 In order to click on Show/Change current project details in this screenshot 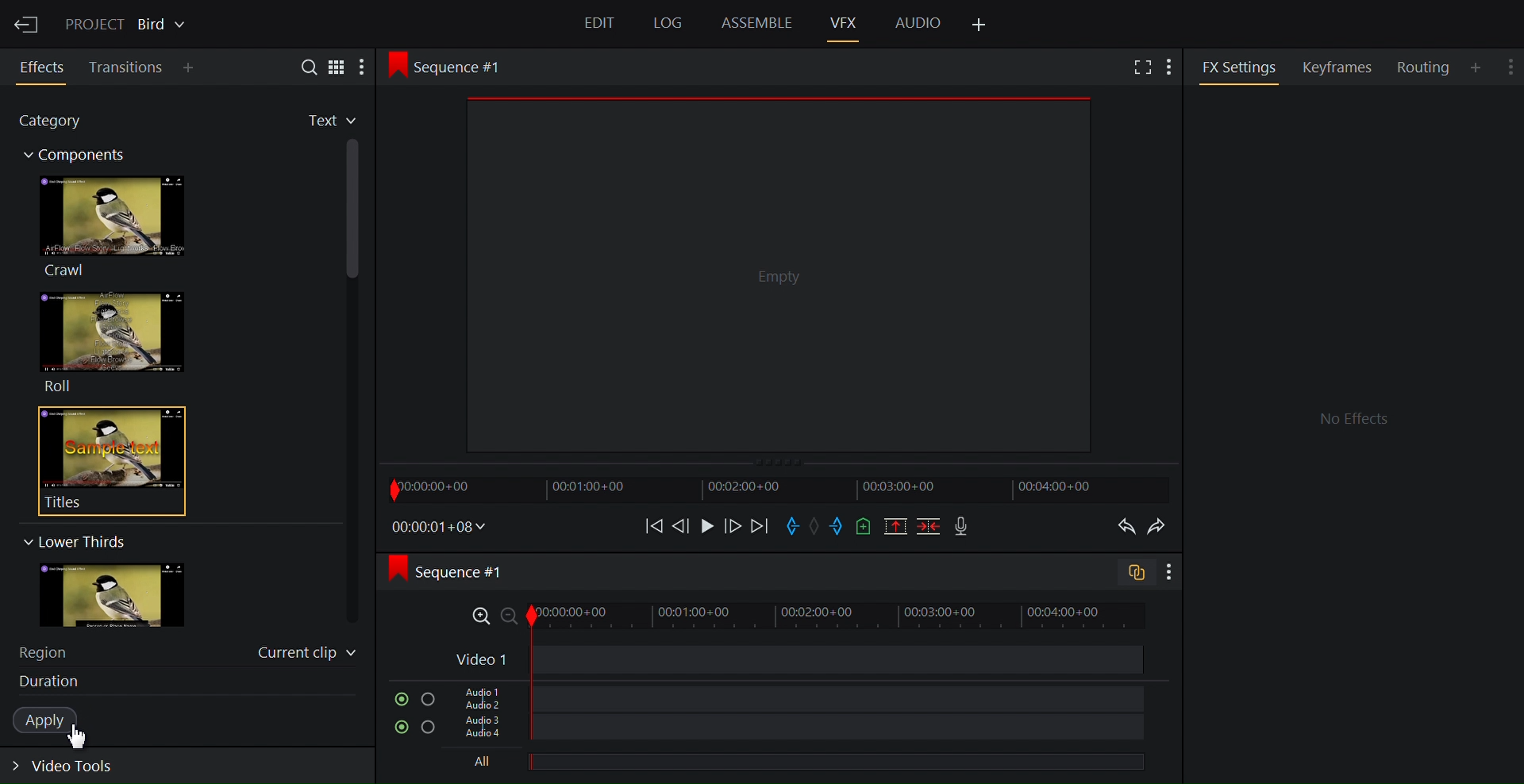, I will do `click(128, 22)`.